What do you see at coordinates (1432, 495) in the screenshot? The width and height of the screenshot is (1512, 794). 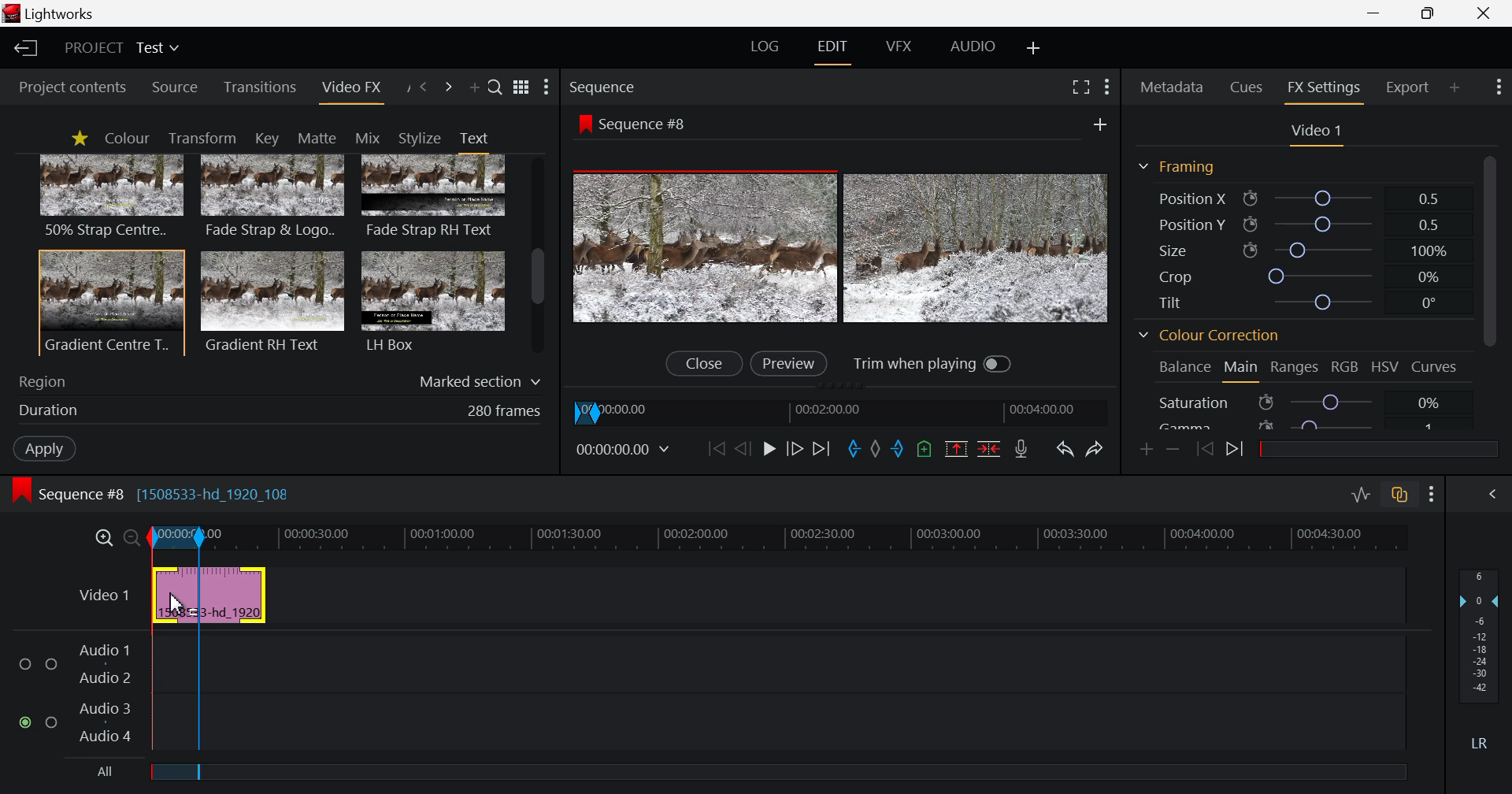 I see `Settings` at bounding box center [1432, 495].